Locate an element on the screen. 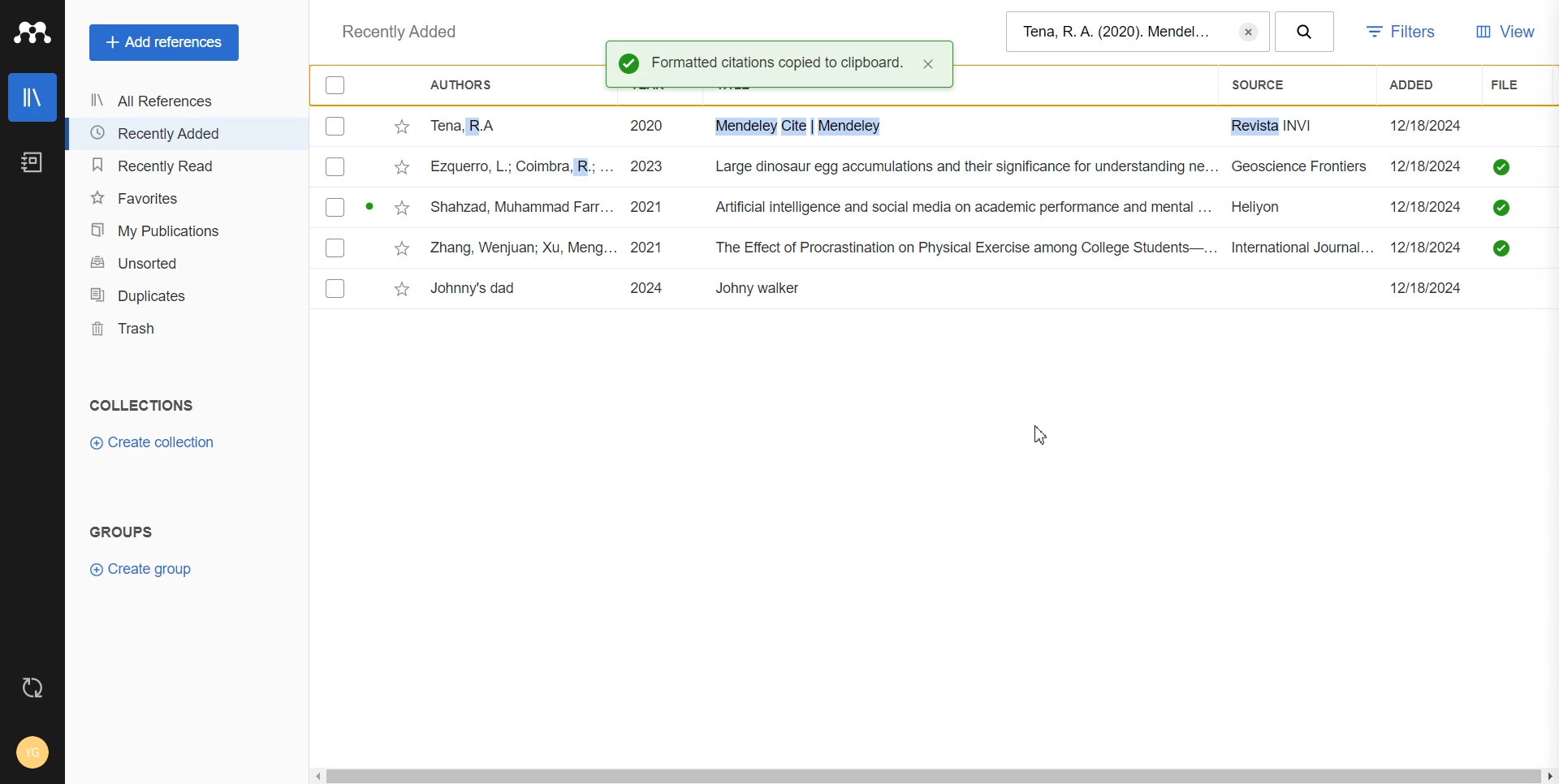 The width and height of the screenshot is (1559, 784). COLLECTIONS is located at coordinates (143, 405).